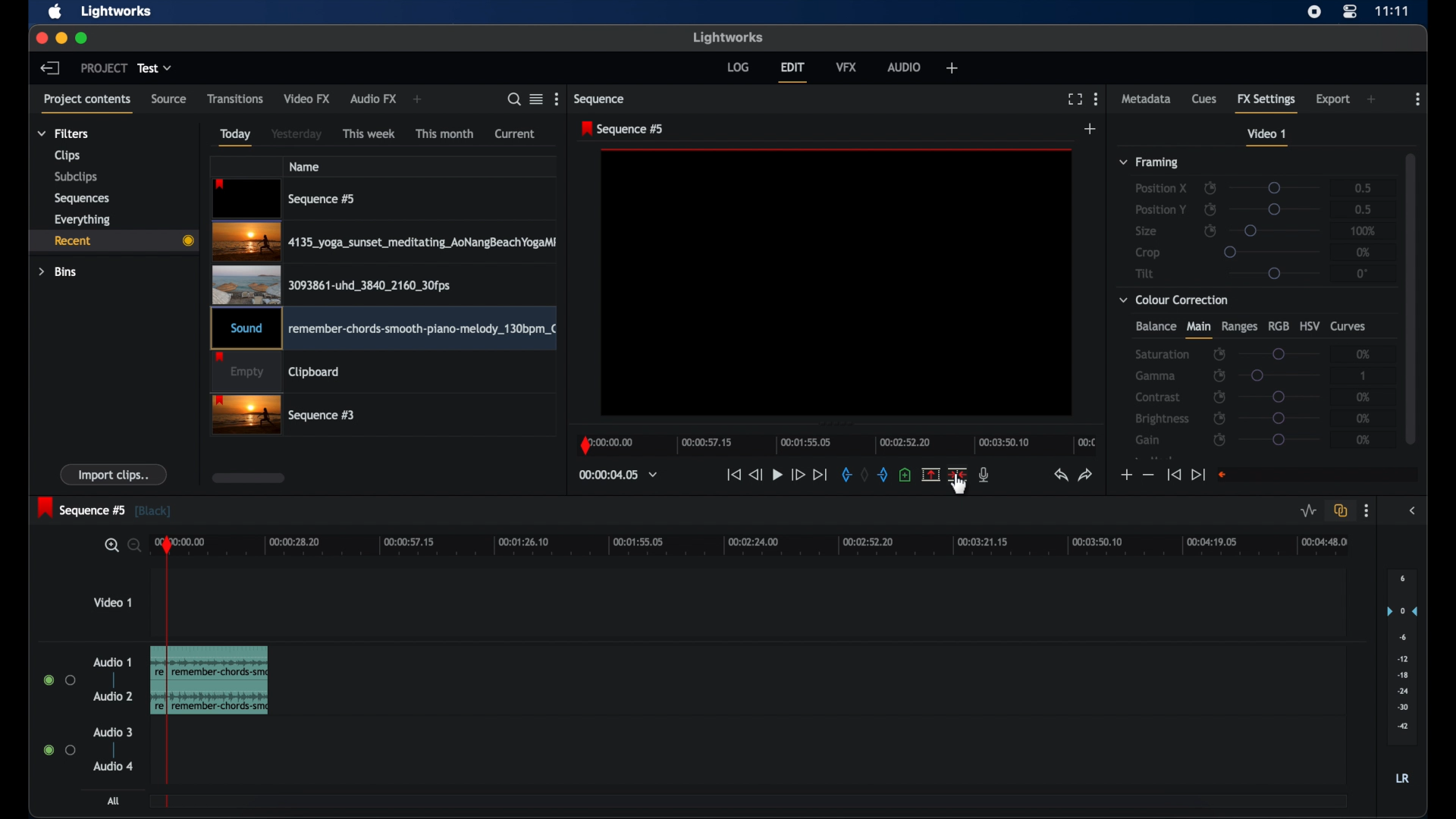  What do you see at coordinates (905, 474) in the screenshot?
I see `add cue at the current position` at bounding box center [905, 474].